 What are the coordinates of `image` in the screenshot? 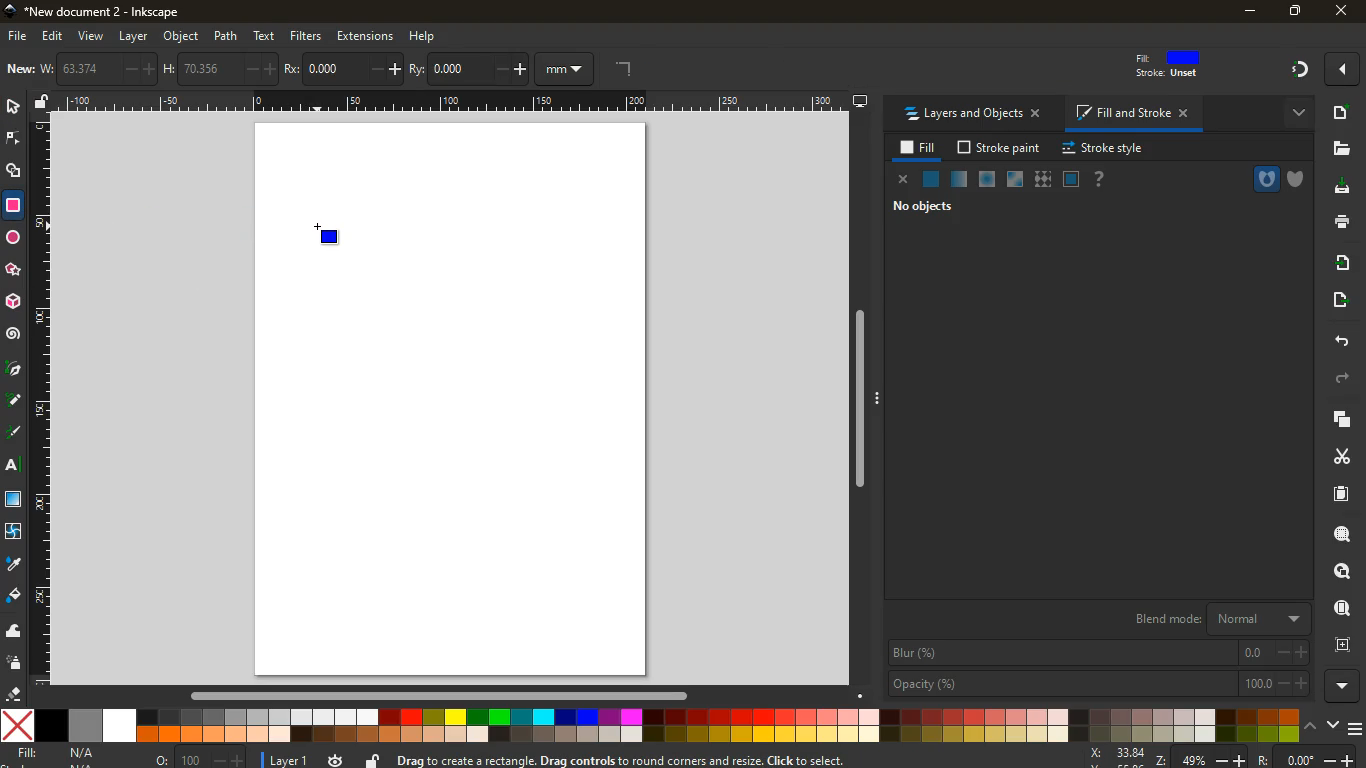 It's located at (455, 403).